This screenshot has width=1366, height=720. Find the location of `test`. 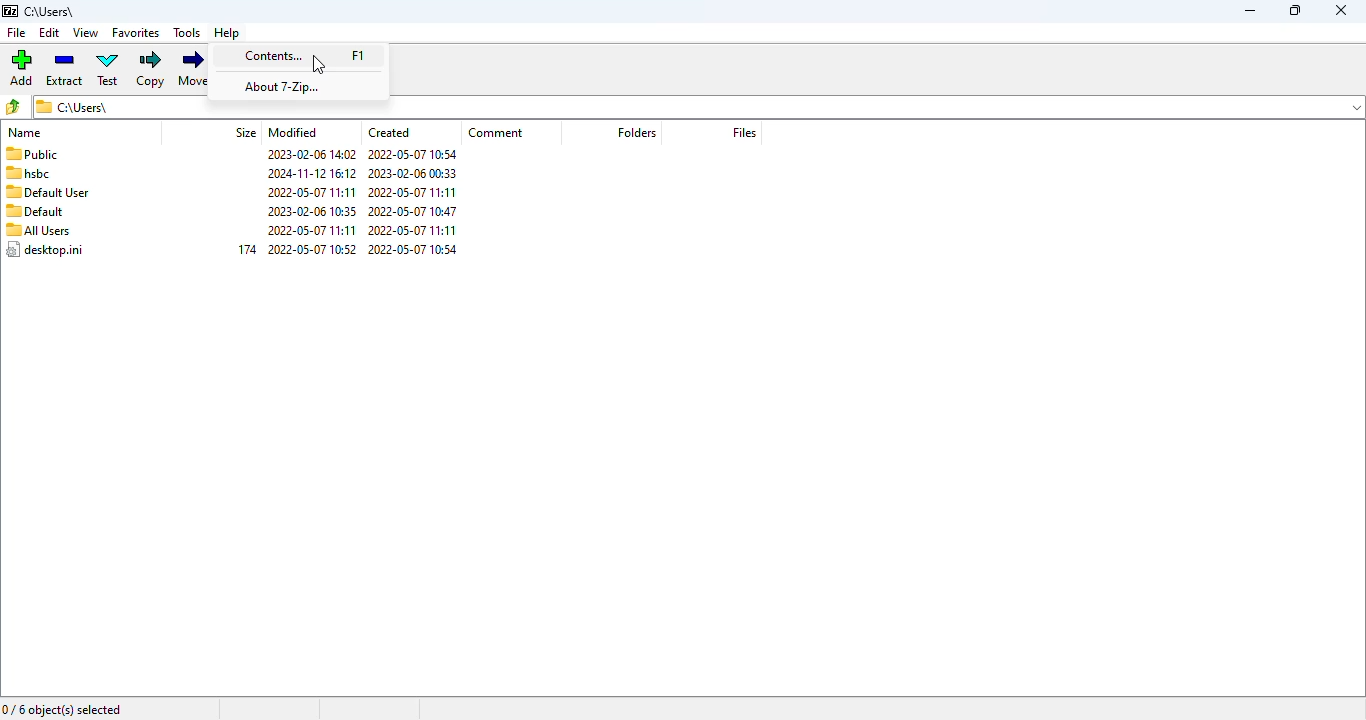

test is located at coordinates (108, 68).